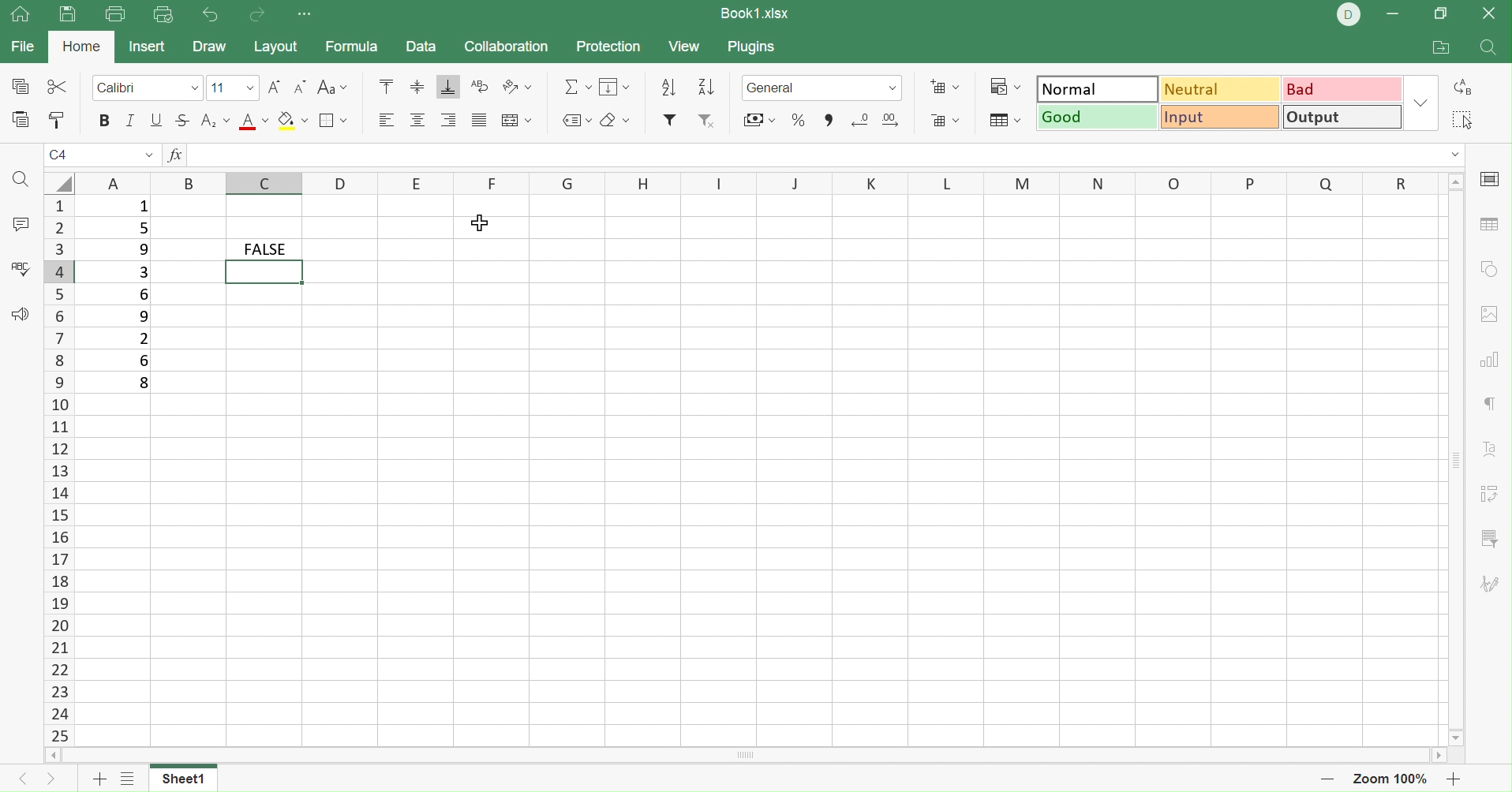 The height and width of the screenshot is (792, 1512). Describe the element at coordinates (757, 185) in the screenshot. I see `Column names` at that location.